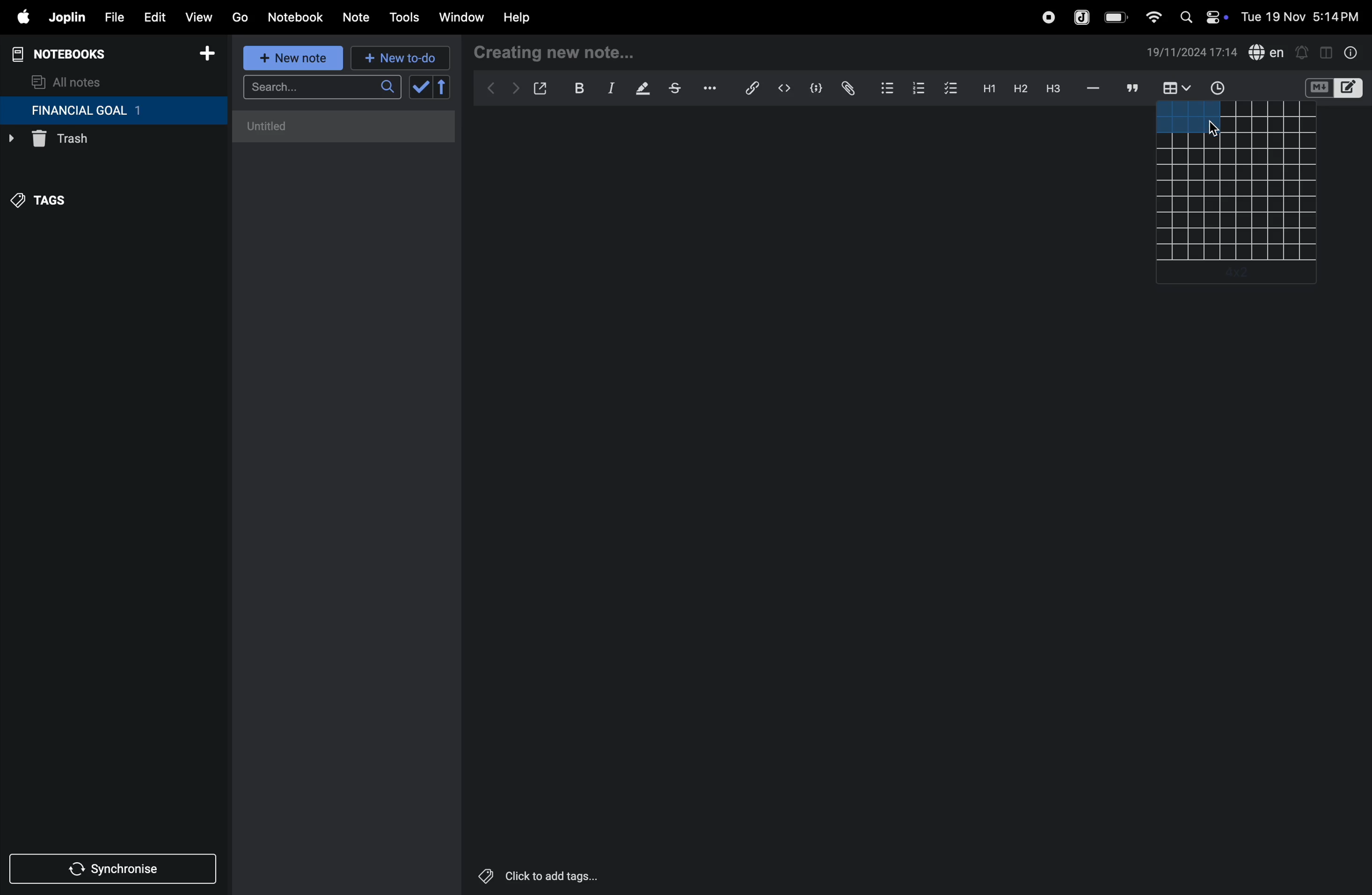 Image resolution: width=1372 pixels, height=895 pixels. What do you see at coordinates (1304, 16) in the screenshot?
I see `date and time` at bounding box center [1304, 16].